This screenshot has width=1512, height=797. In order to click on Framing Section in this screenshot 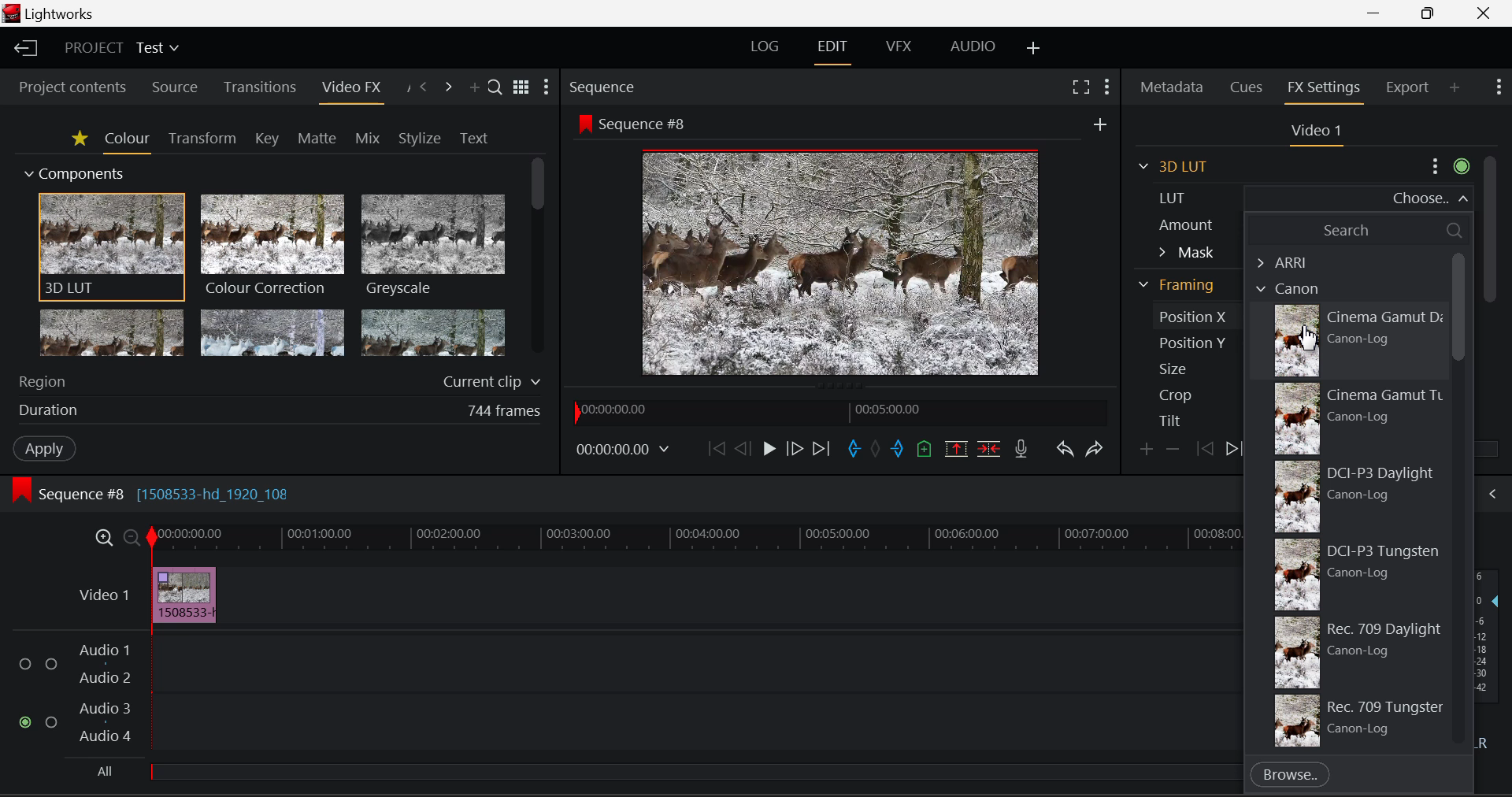, I will do `click(1180, 287)`.